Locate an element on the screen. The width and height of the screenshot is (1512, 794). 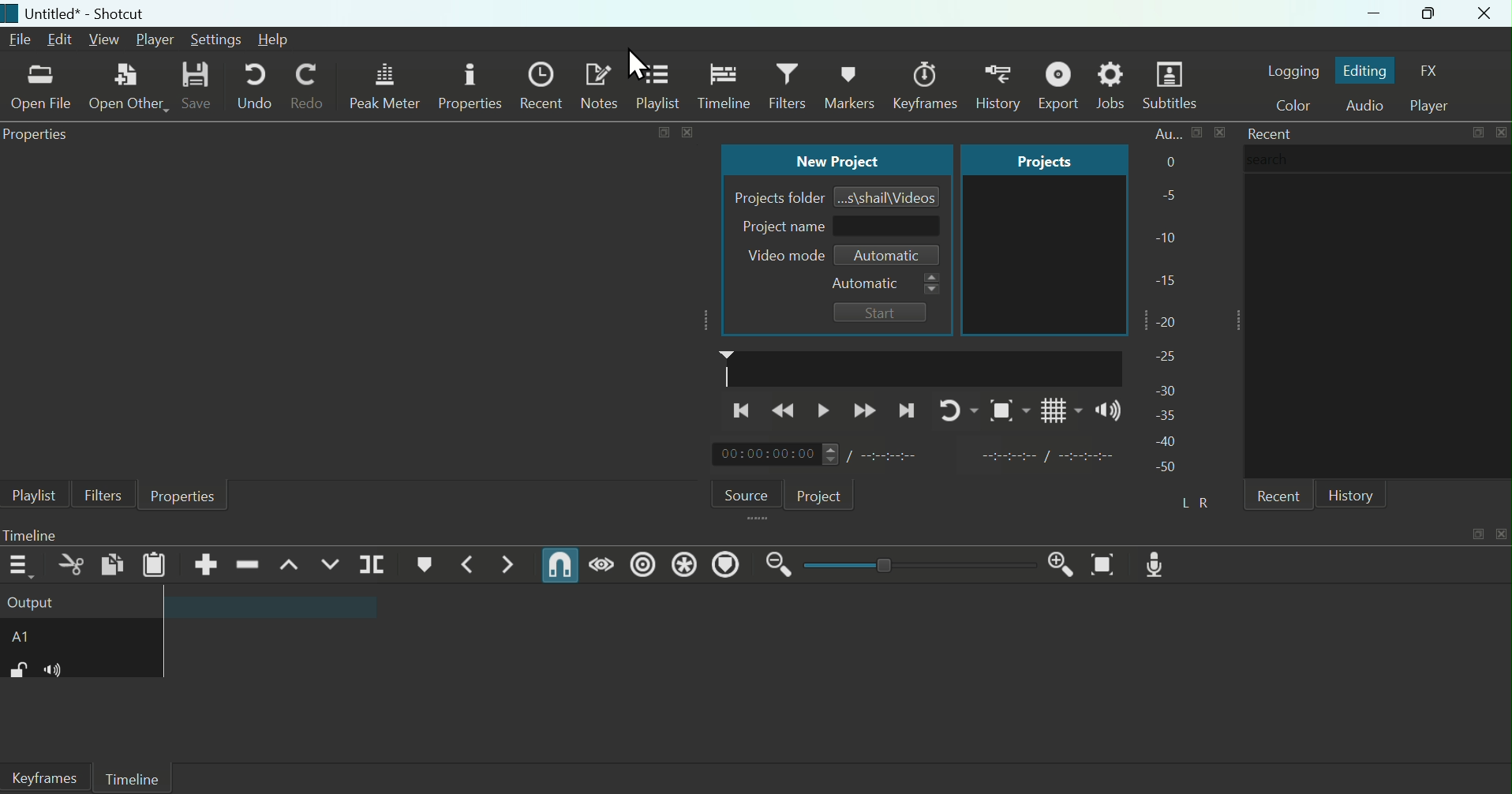
Projects is located at coordinates (1029, 159).